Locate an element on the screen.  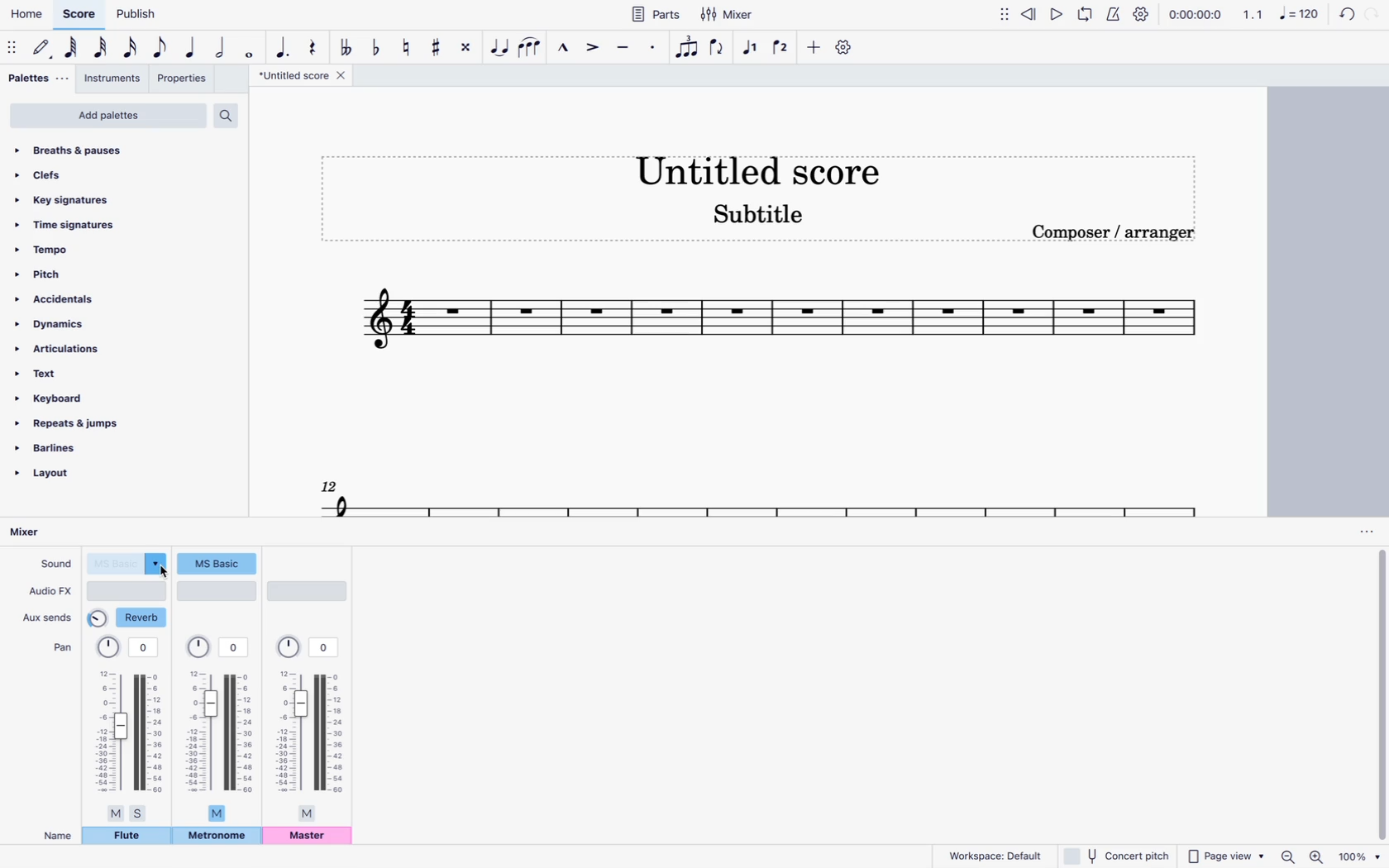
tie is located at coordinates (501, 46).